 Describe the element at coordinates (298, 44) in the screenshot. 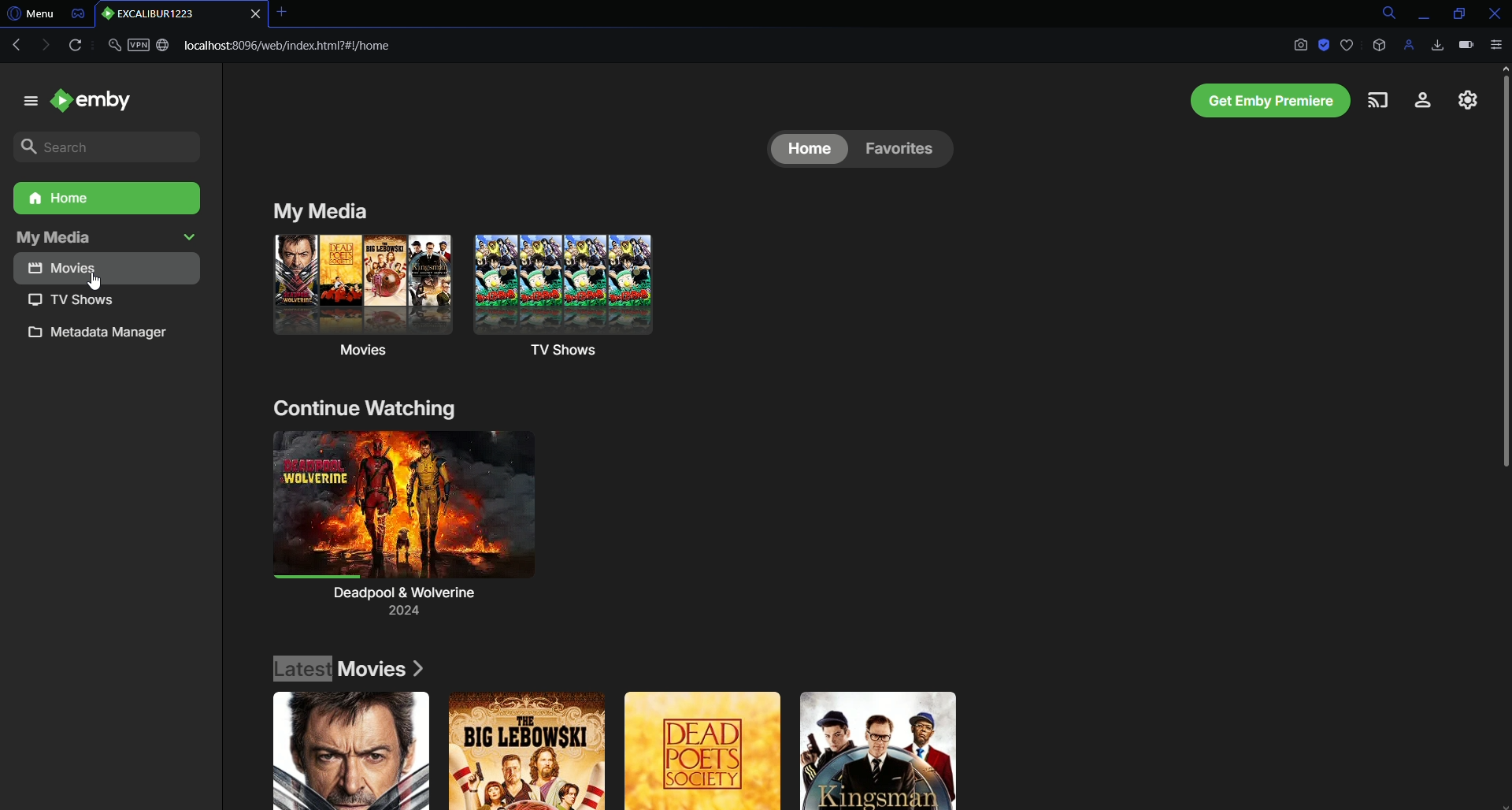

I see `Link` at that location.